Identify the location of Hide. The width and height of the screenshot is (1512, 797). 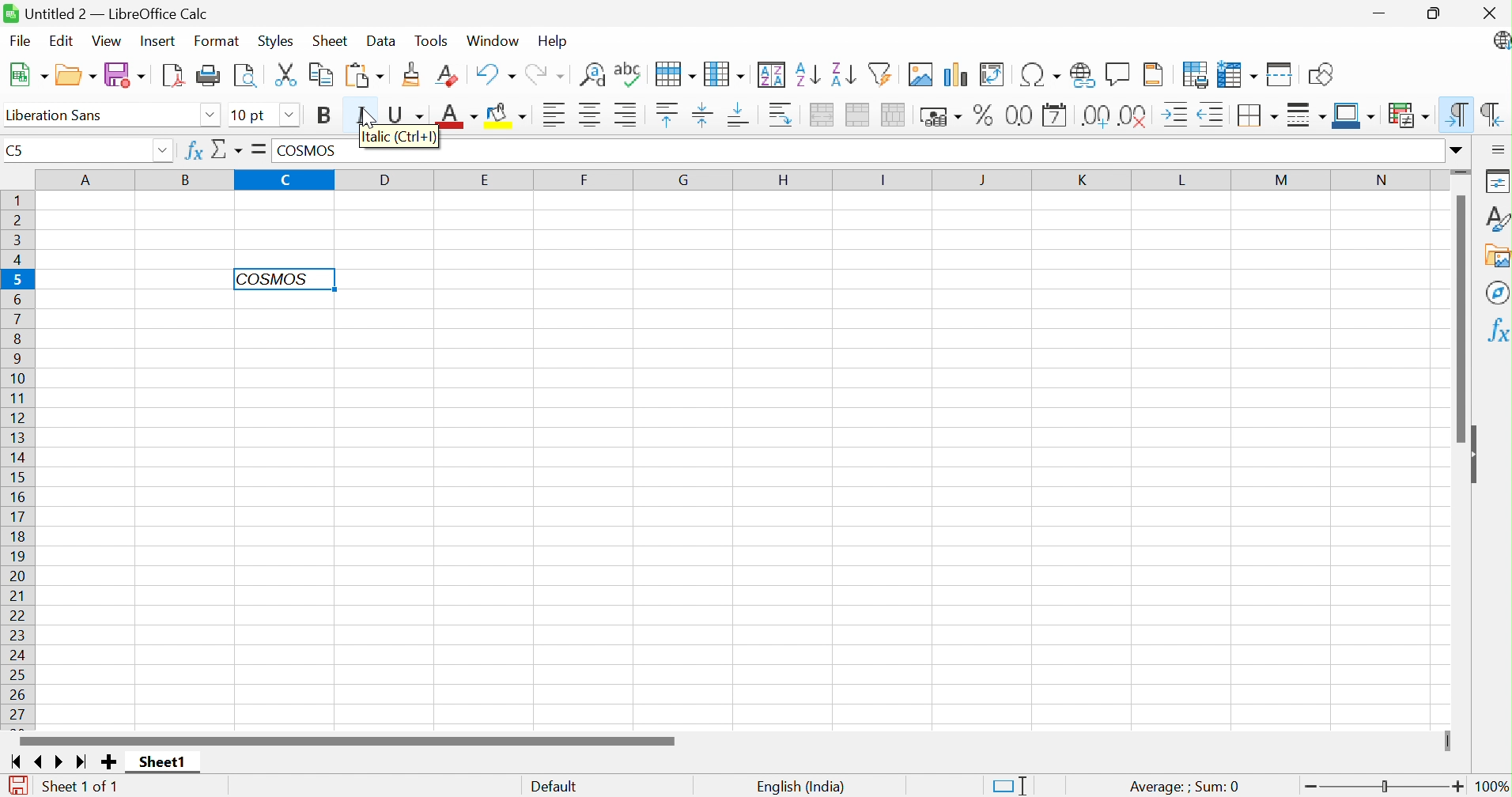
(1477, 455).